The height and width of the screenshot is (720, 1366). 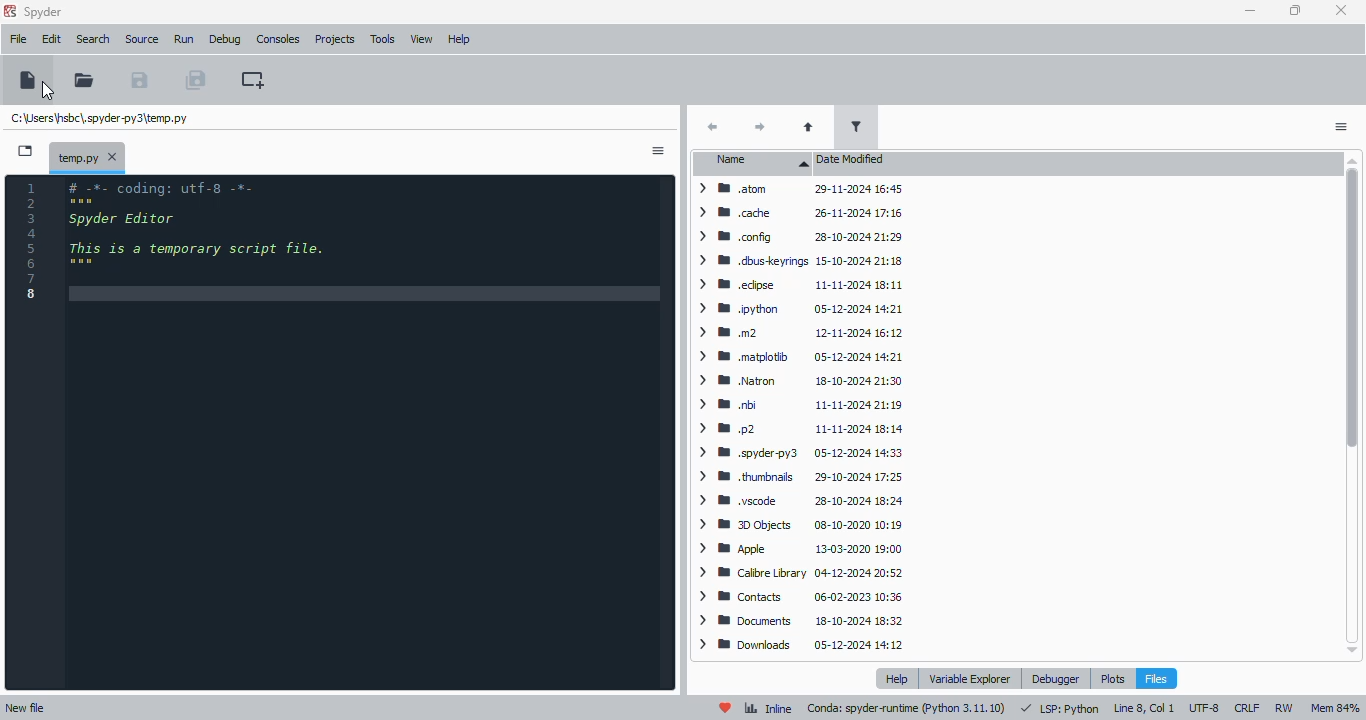 What do you see at coordinates (19, 39) in the screenshot?
I see `file` at bounding box center [19, 39].